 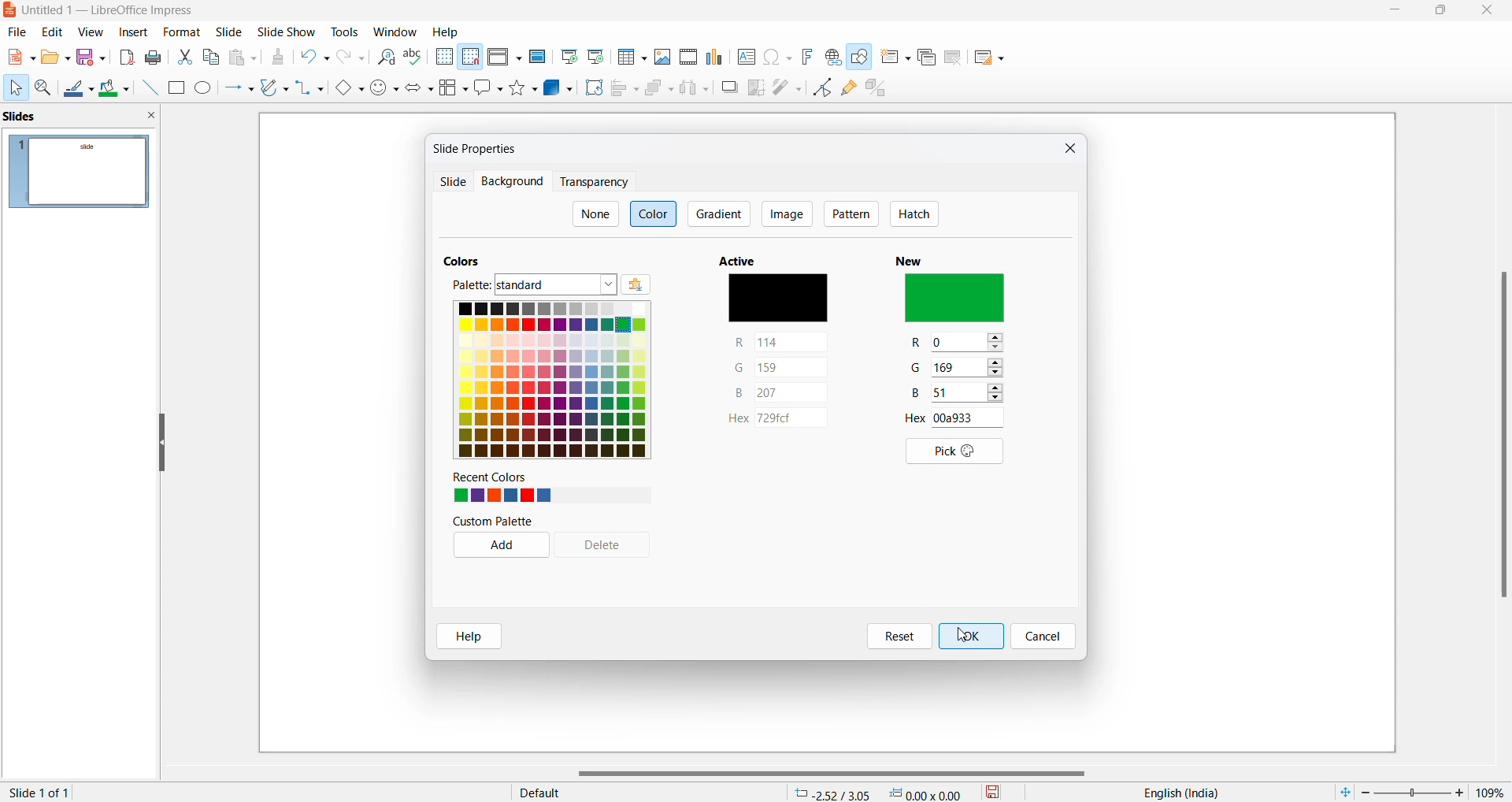 What do you see at coordinates (913, 215) in the screenshot?
I see `hatch` at bounding box center [913, 215].